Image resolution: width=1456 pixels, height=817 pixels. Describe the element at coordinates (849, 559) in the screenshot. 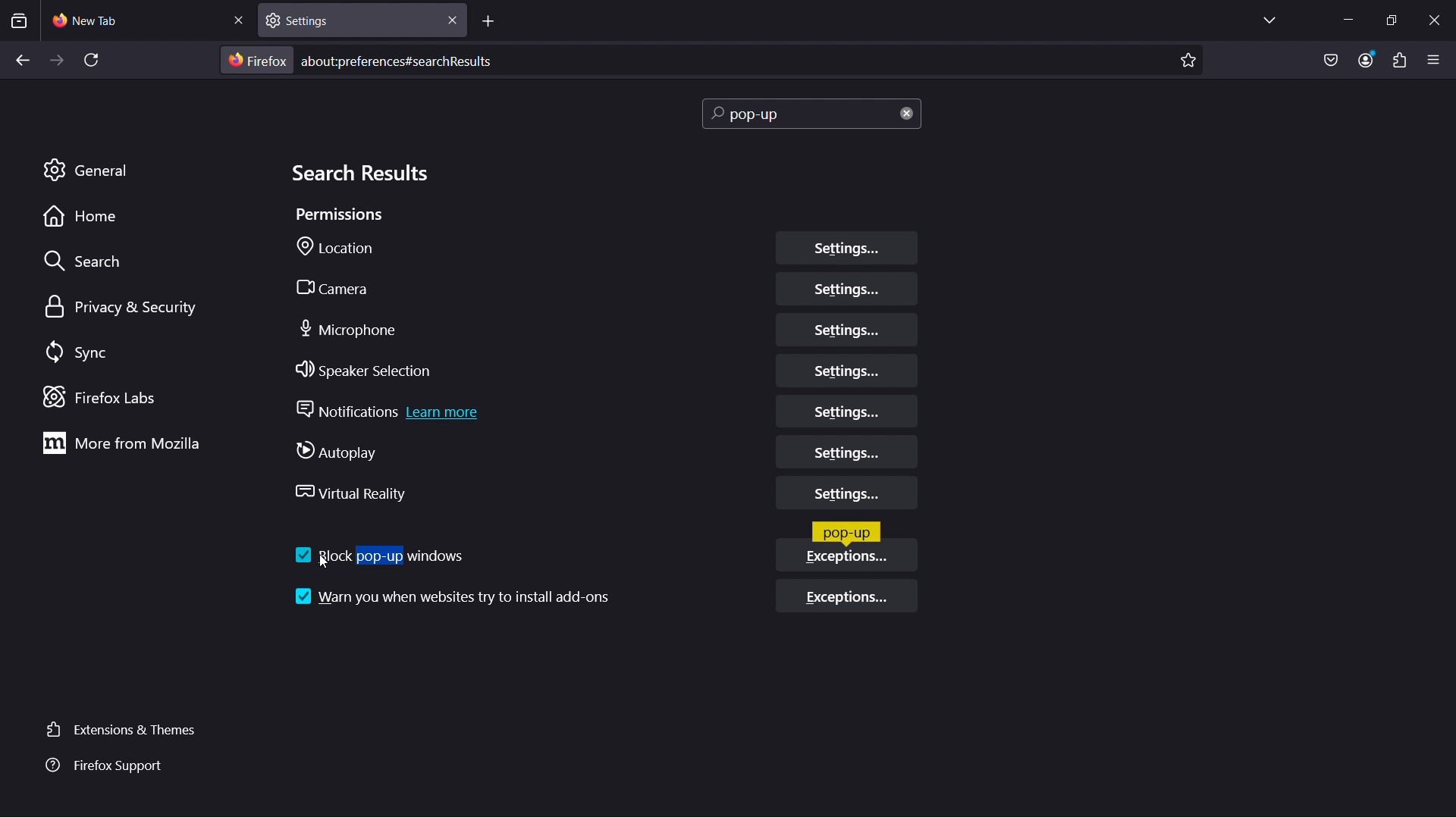

I see `Exceptions (enabled)` at that location.